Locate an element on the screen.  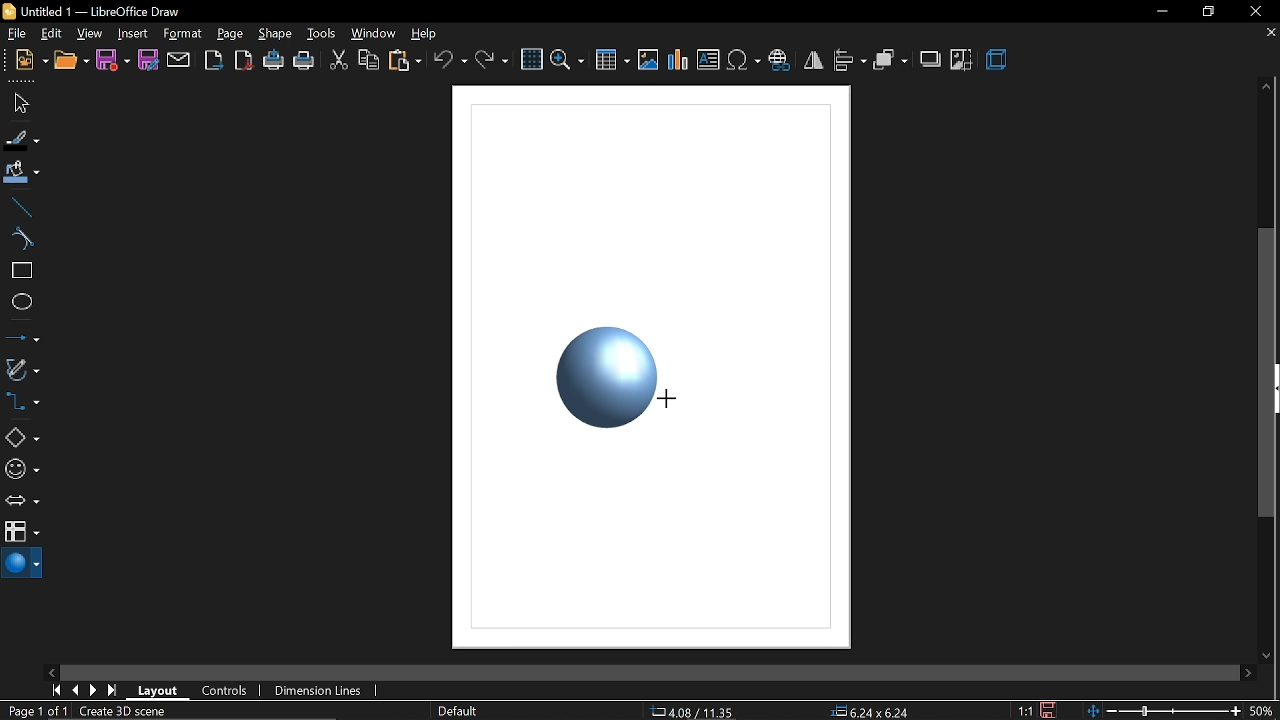
grid is located at coordinates (531, 58).